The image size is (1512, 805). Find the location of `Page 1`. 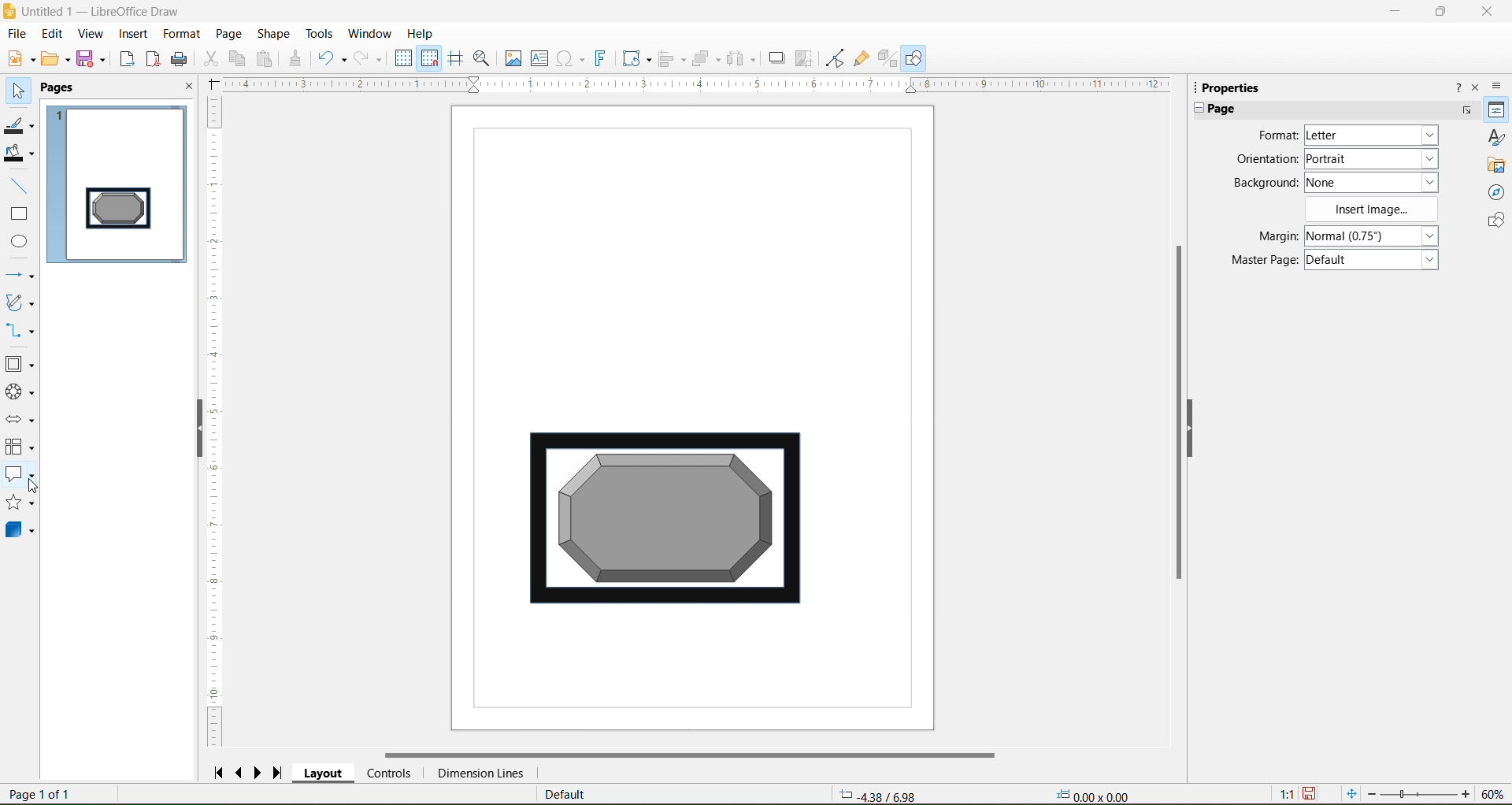

Page 1 is located at coordinates (117, 184).